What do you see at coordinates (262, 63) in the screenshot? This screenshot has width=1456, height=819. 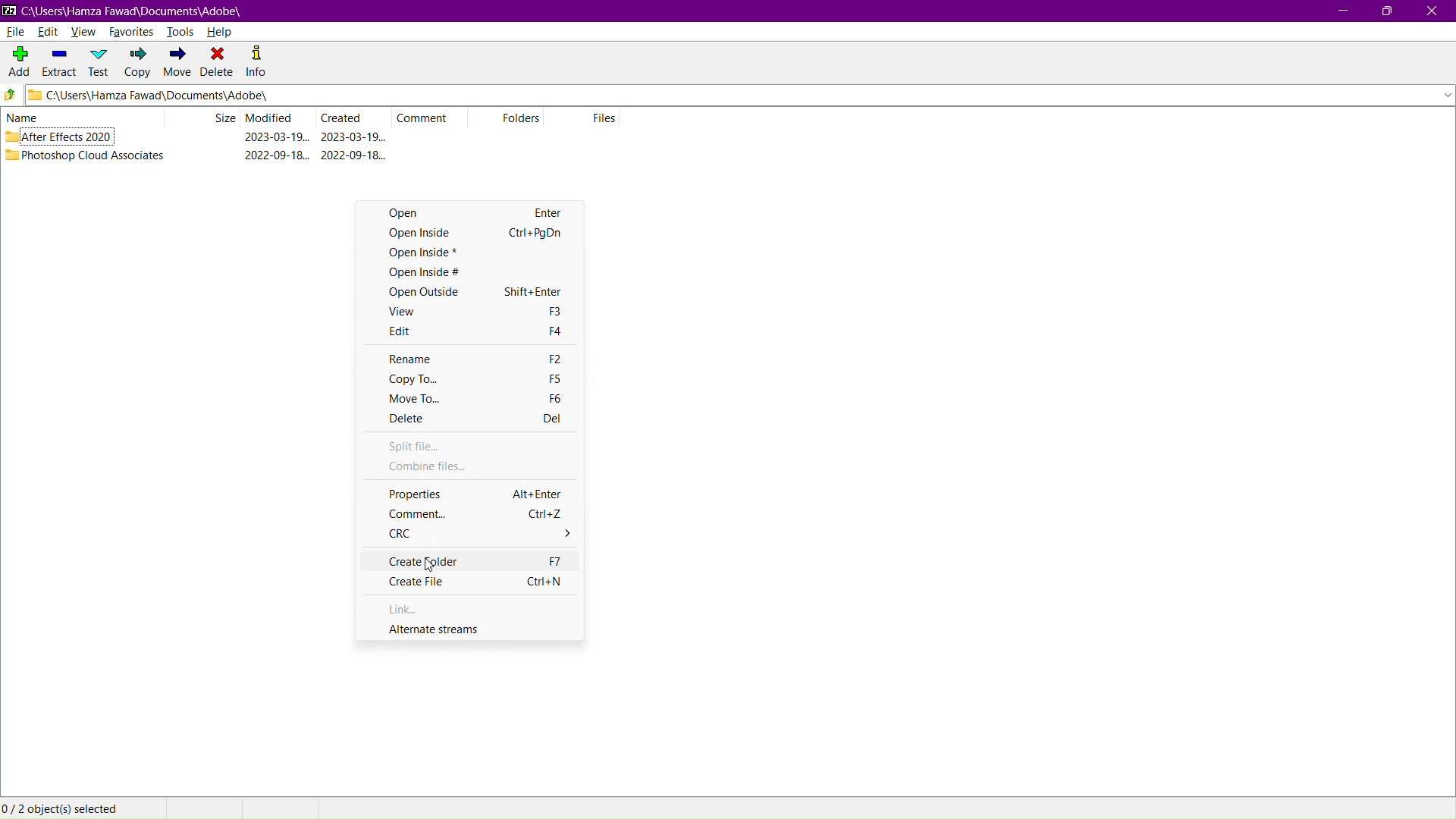 I see `Info` at bounding box center [262, 63].